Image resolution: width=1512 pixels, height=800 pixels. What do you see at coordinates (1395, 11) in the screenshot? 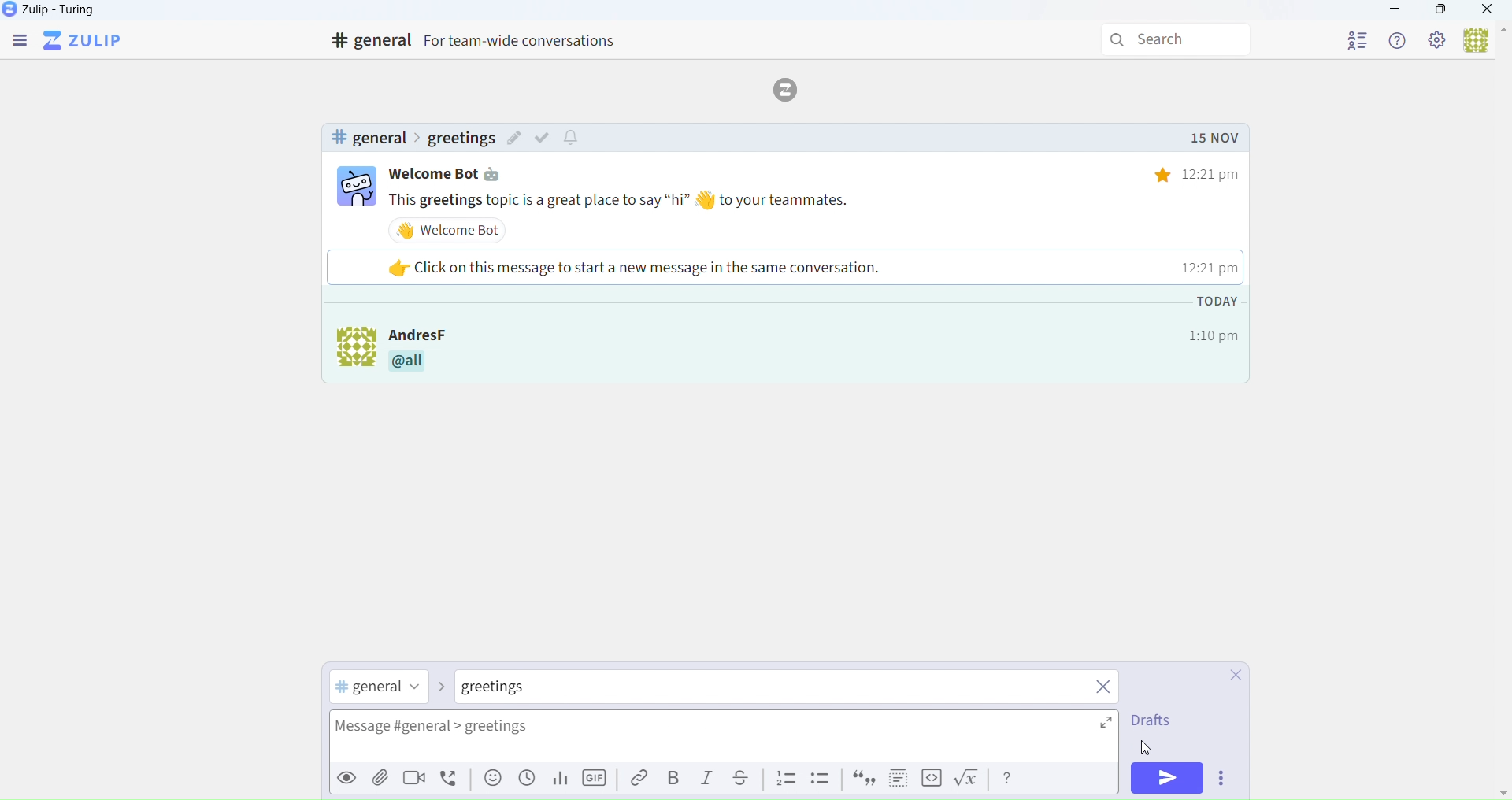
I see `Minimize` at bounding box center [1395, 11].